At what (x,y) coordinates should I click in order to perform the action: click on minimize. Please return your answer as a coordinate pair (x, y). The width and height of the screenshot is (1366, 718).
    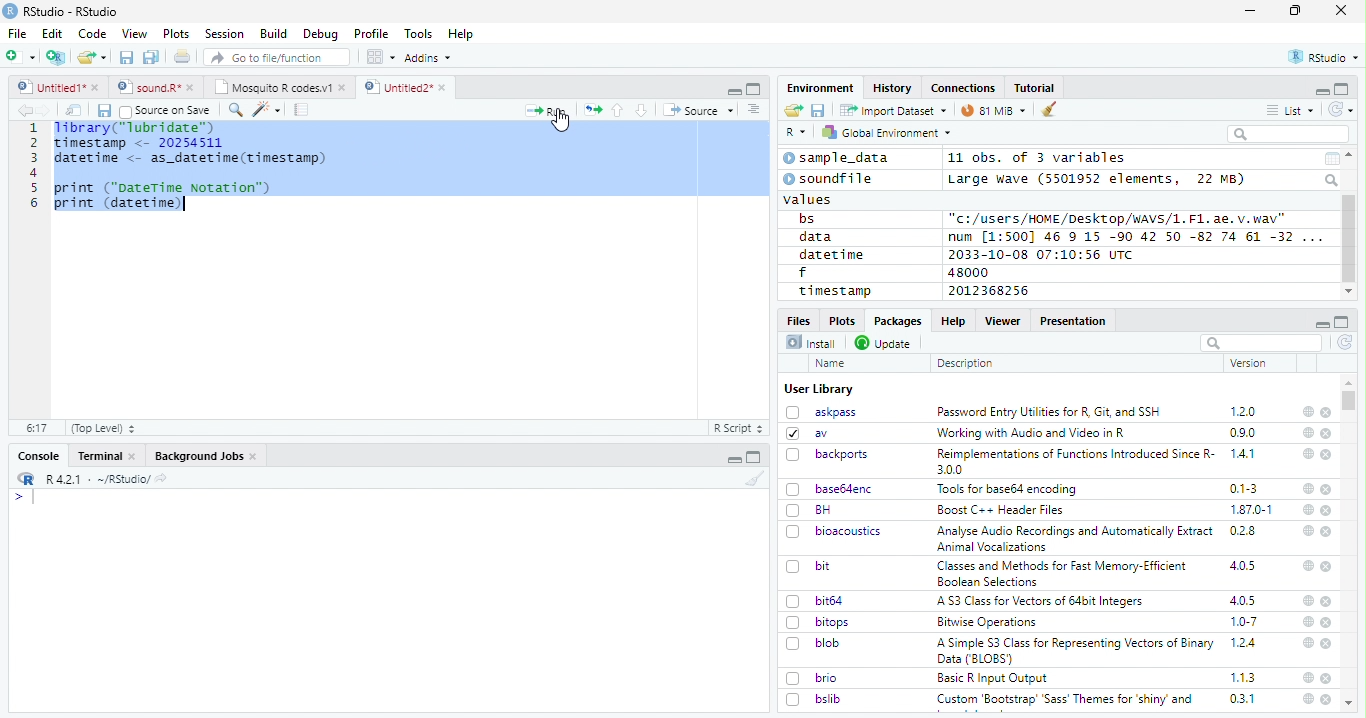
    Looking at the image, I should click on (1253, 11).